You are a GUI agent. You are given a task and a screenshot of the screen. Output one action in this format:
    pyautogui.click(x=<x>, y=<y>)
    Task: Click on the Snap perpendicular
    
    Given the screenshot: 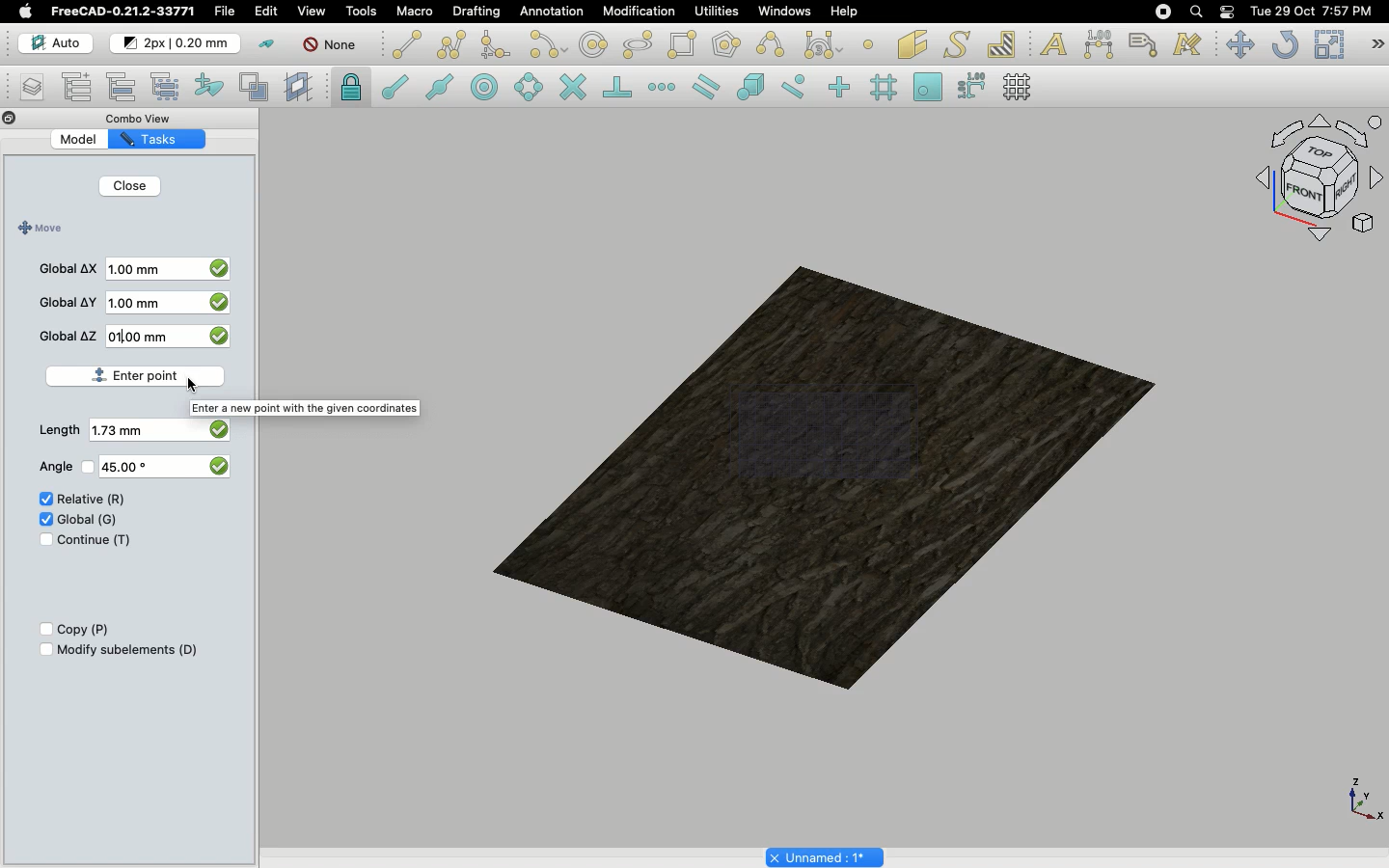 What is the action you would take?
    pyautogui.click(x=620, y=89)
    